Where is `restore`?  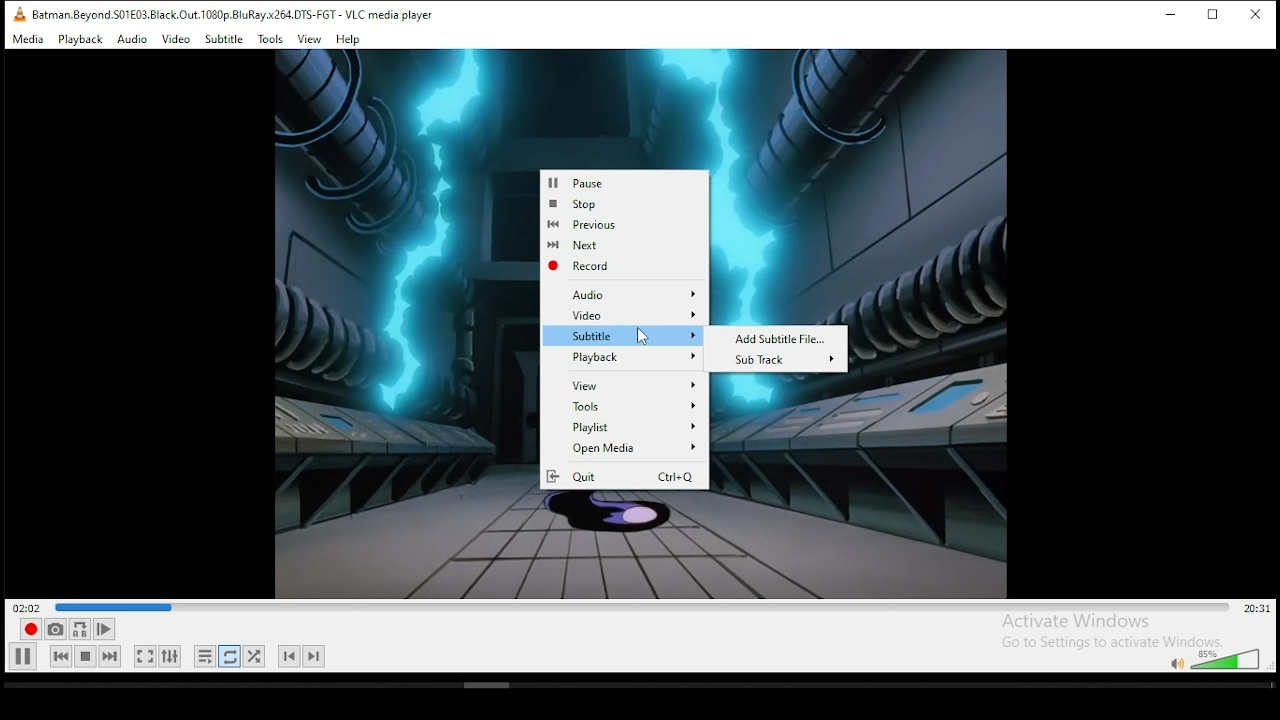 restore is located at coordinates (1215, 15).